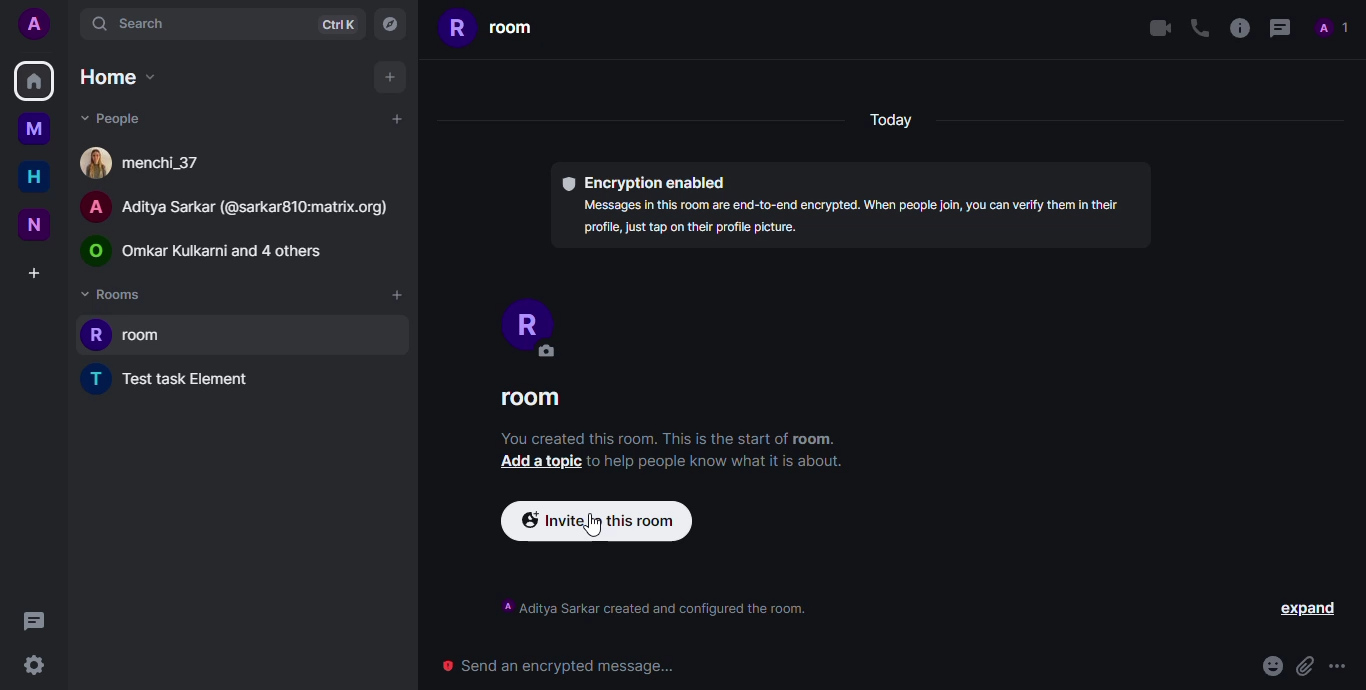 This screenshot has height=690, width=1366. I want to click on home, so click(119, 76).